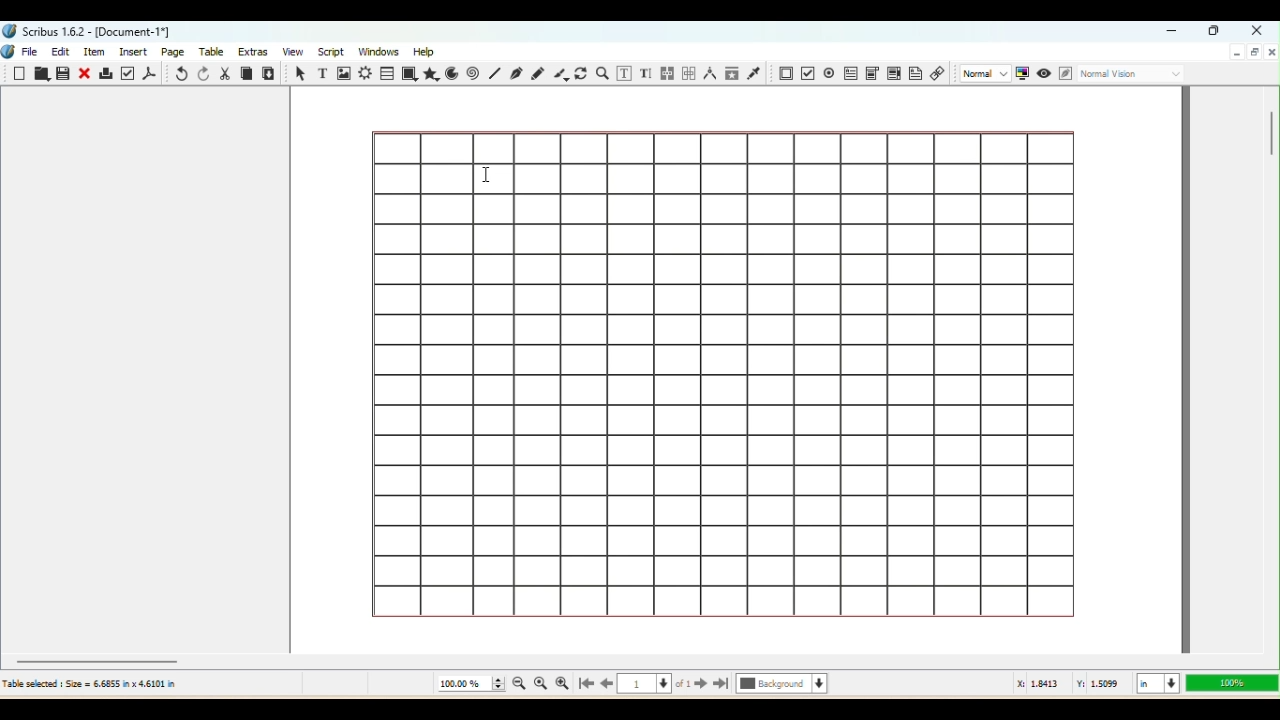 Image resolution: width=1280 pixels, height=720 pixels. I want to click on Edit, so click(60, 52).